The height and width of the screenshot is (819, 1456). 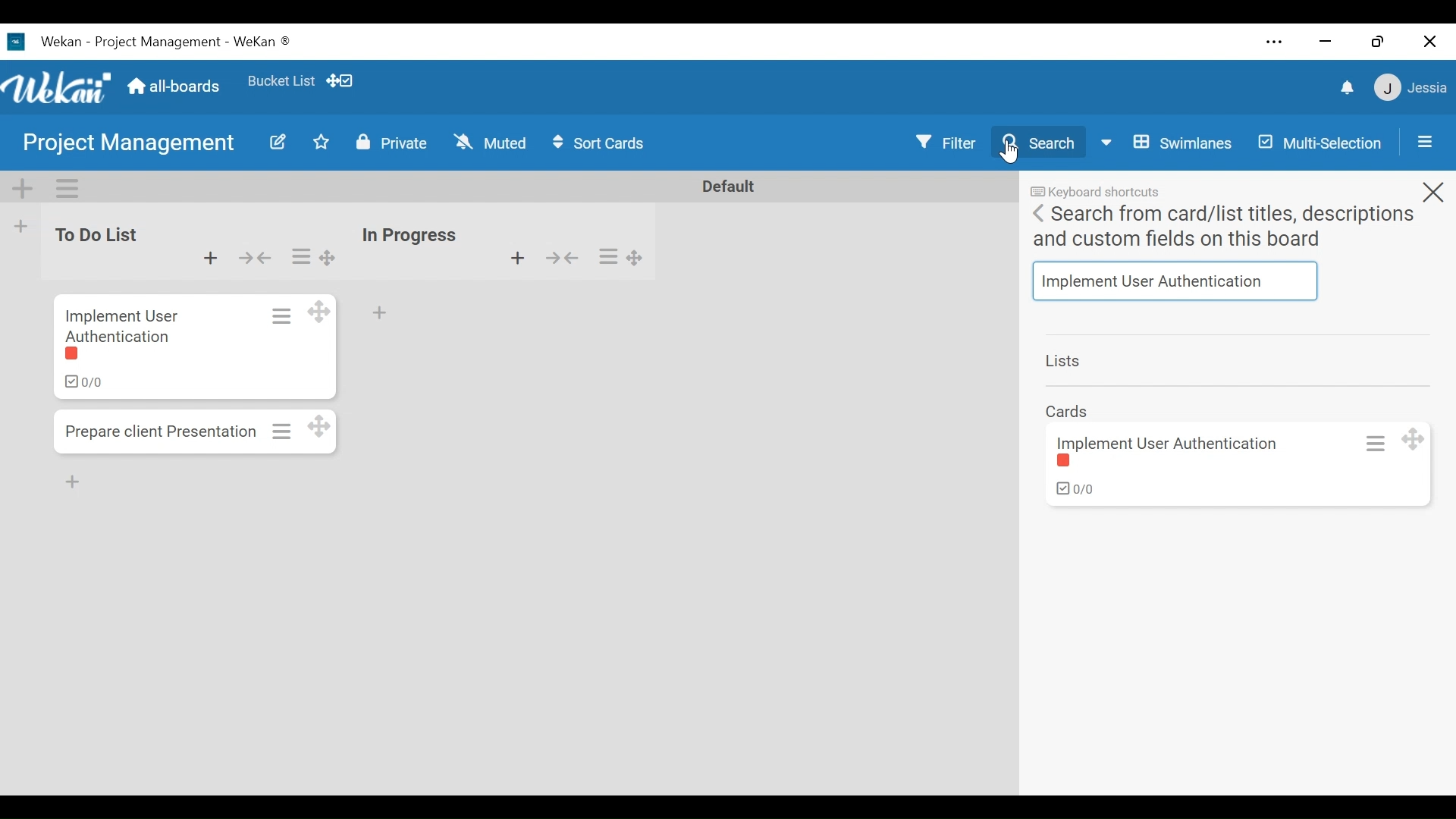 I want to click on Prepare client presentation, so click(x=162, y=435).